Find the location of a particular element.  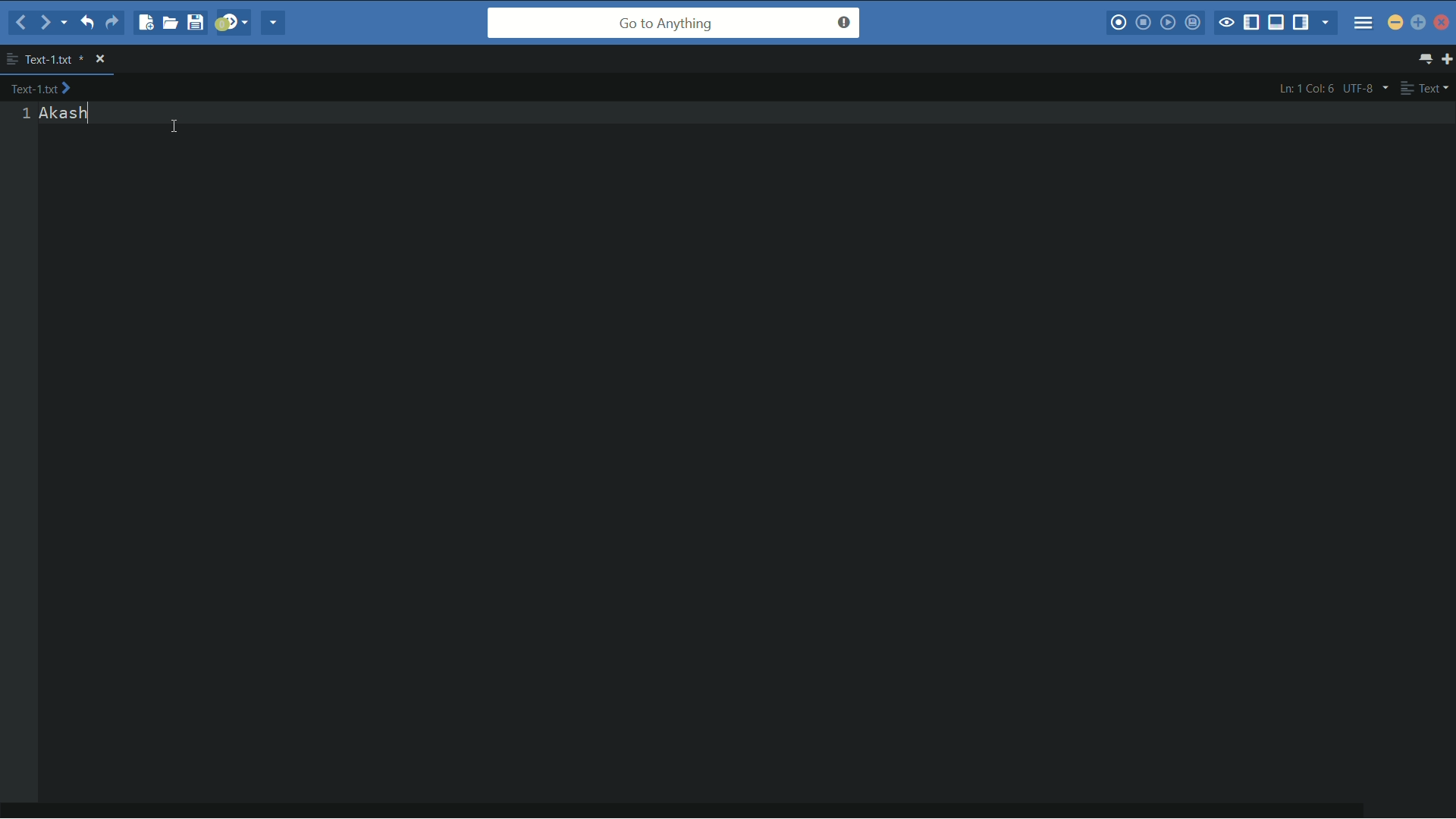

forward is located at coordinates (52, 24).